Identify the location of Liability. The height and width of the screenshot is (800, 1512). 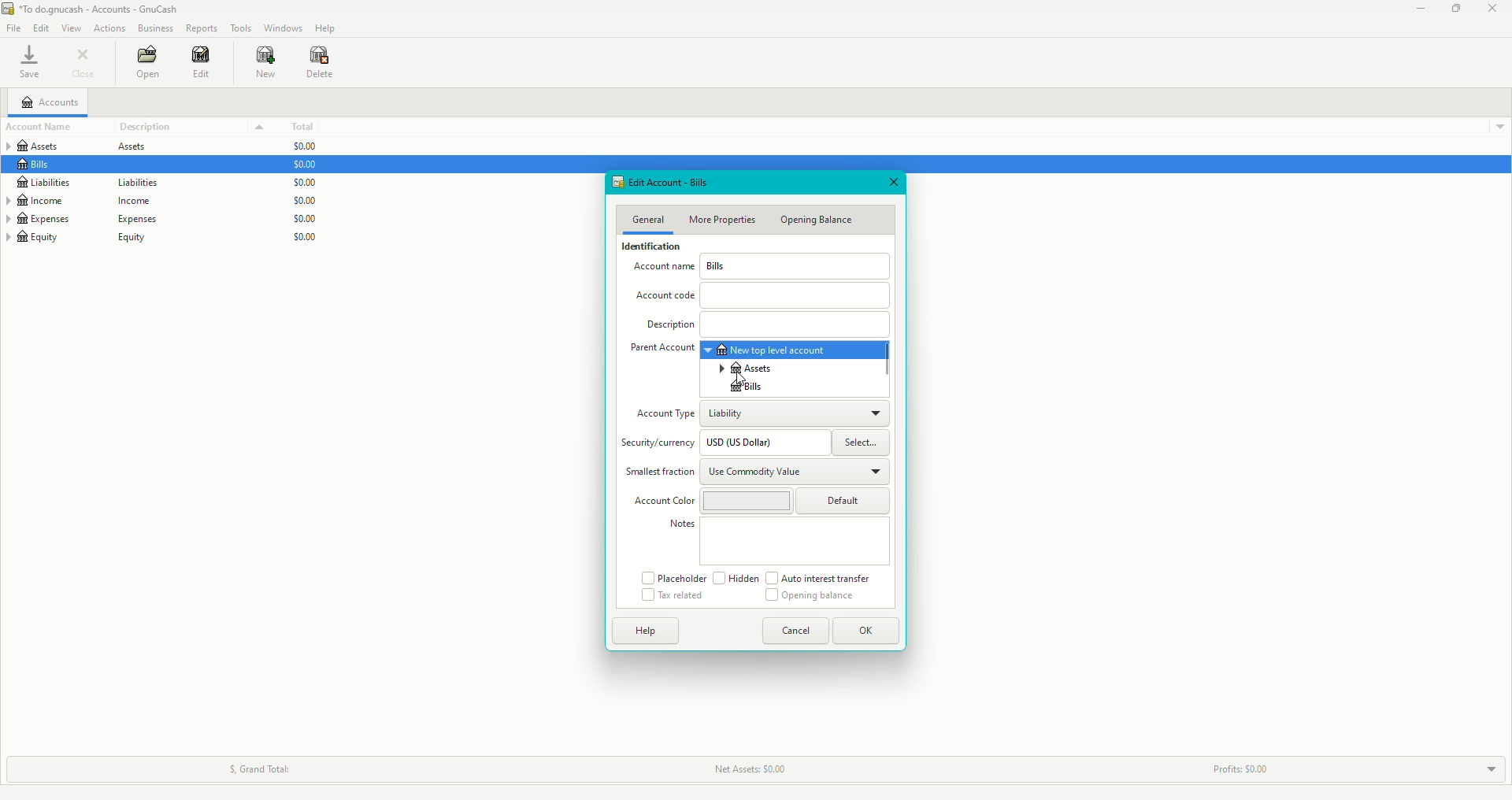
(795, 412).